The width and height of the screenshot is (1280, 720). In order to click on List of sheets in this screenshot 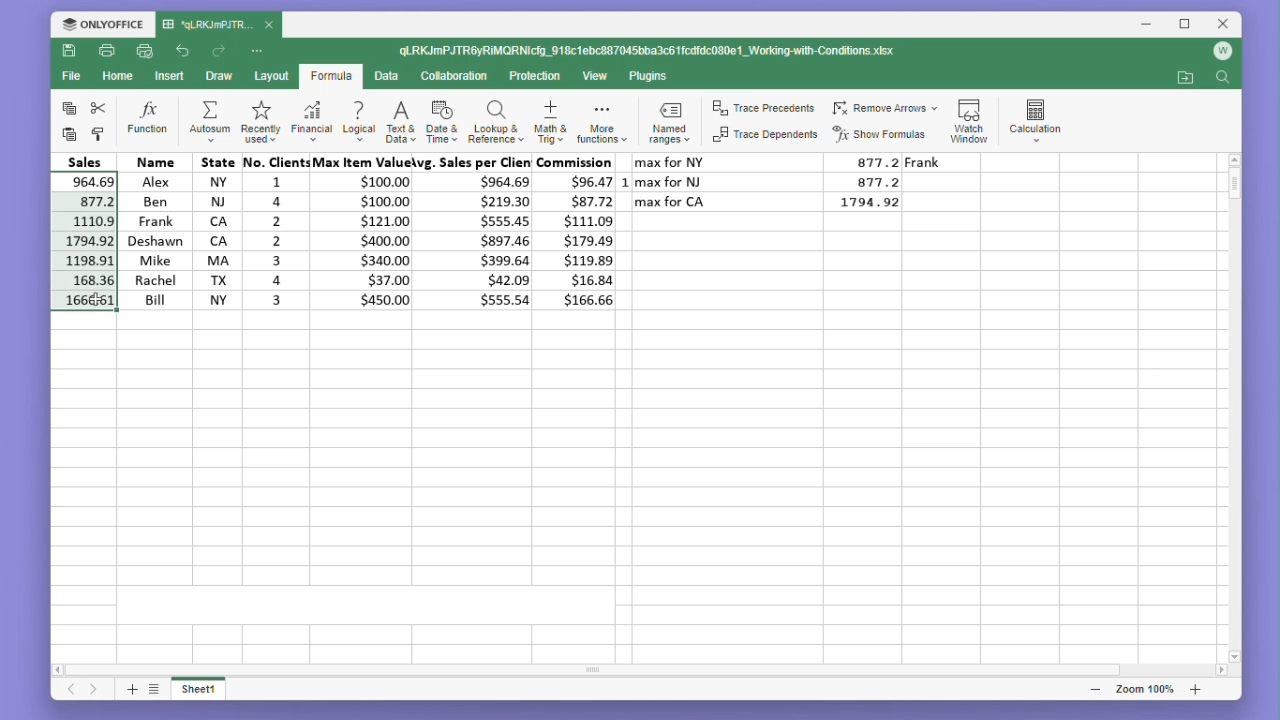, I will do `click(159, 690)`.